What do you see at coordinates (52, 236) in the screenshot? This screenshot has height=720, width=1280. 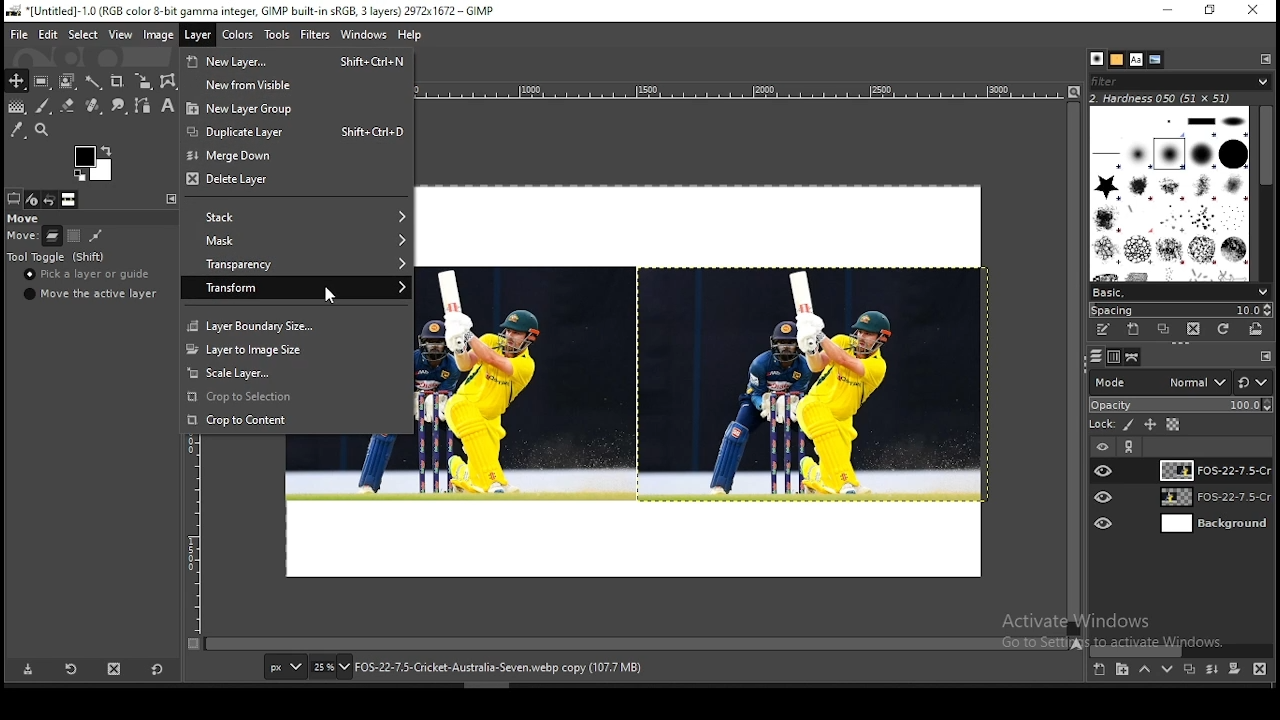 I see `move layer` at bounding box center [52, 236].